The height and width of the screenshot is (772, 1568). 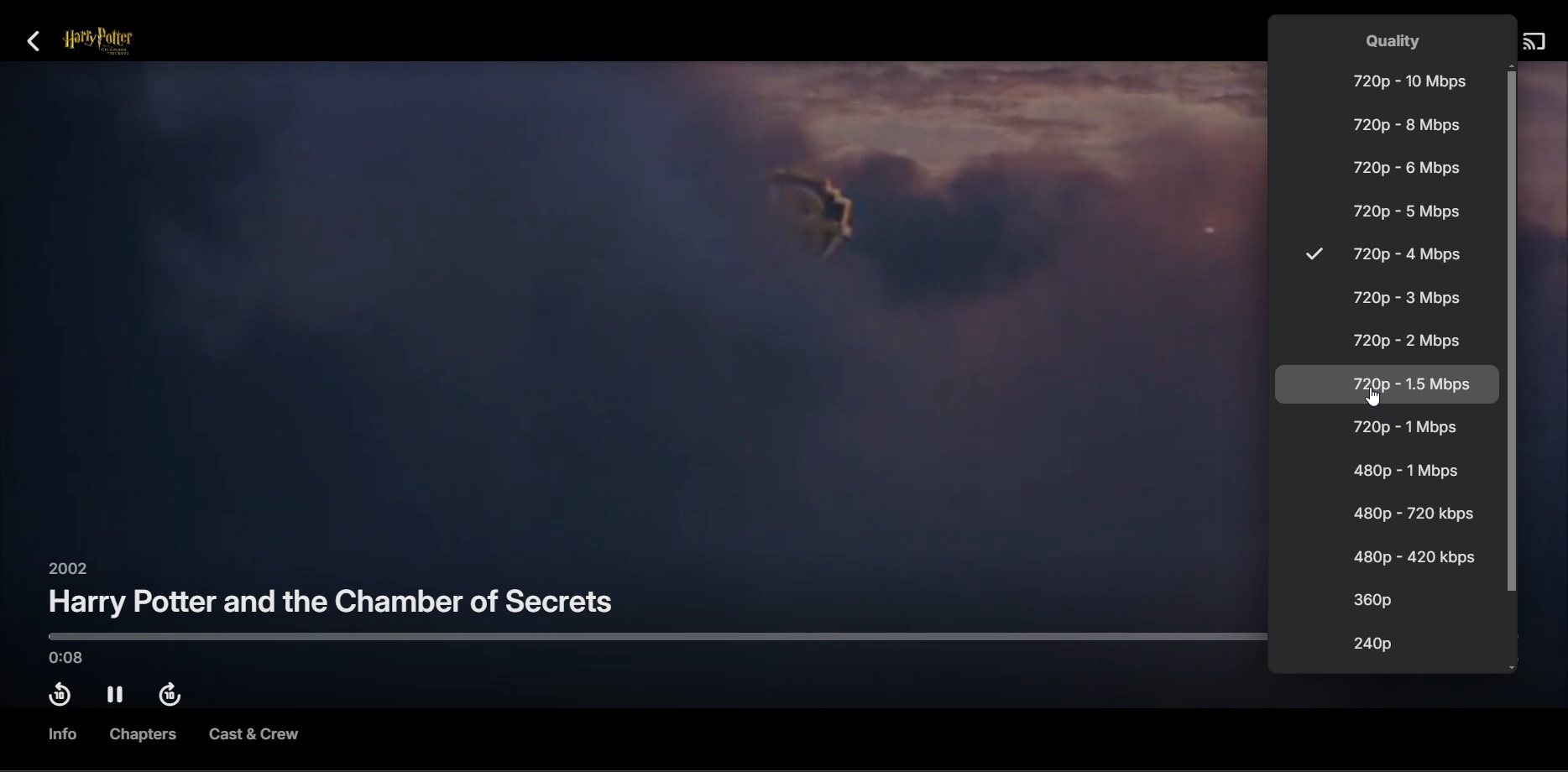 What do you see at coordinates (118, 696) in the screenshot?
I see `Play/Pause` at bounding box center [118, 696].